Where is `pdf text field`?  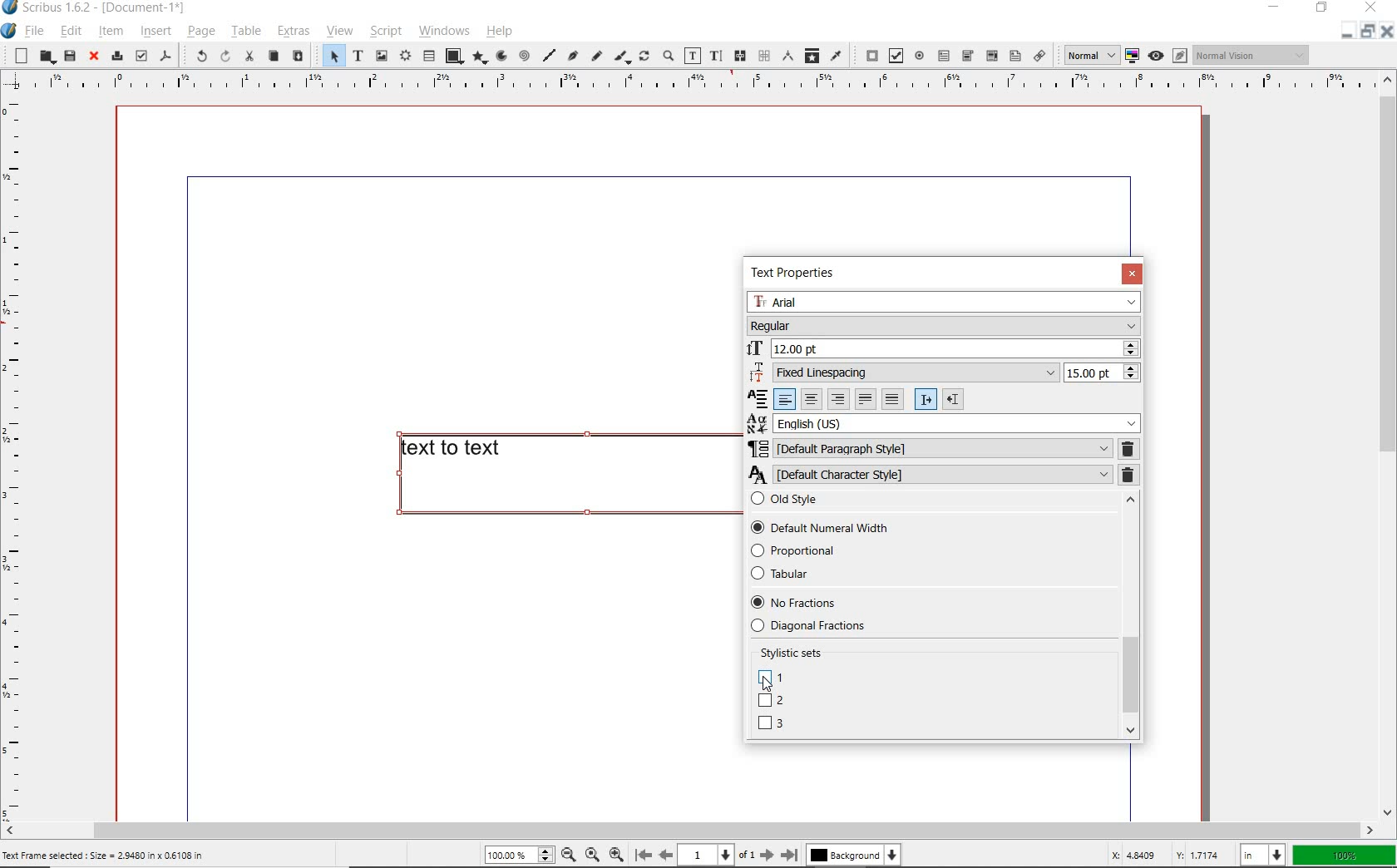
pdf text field is located at coordinates (943, 55).